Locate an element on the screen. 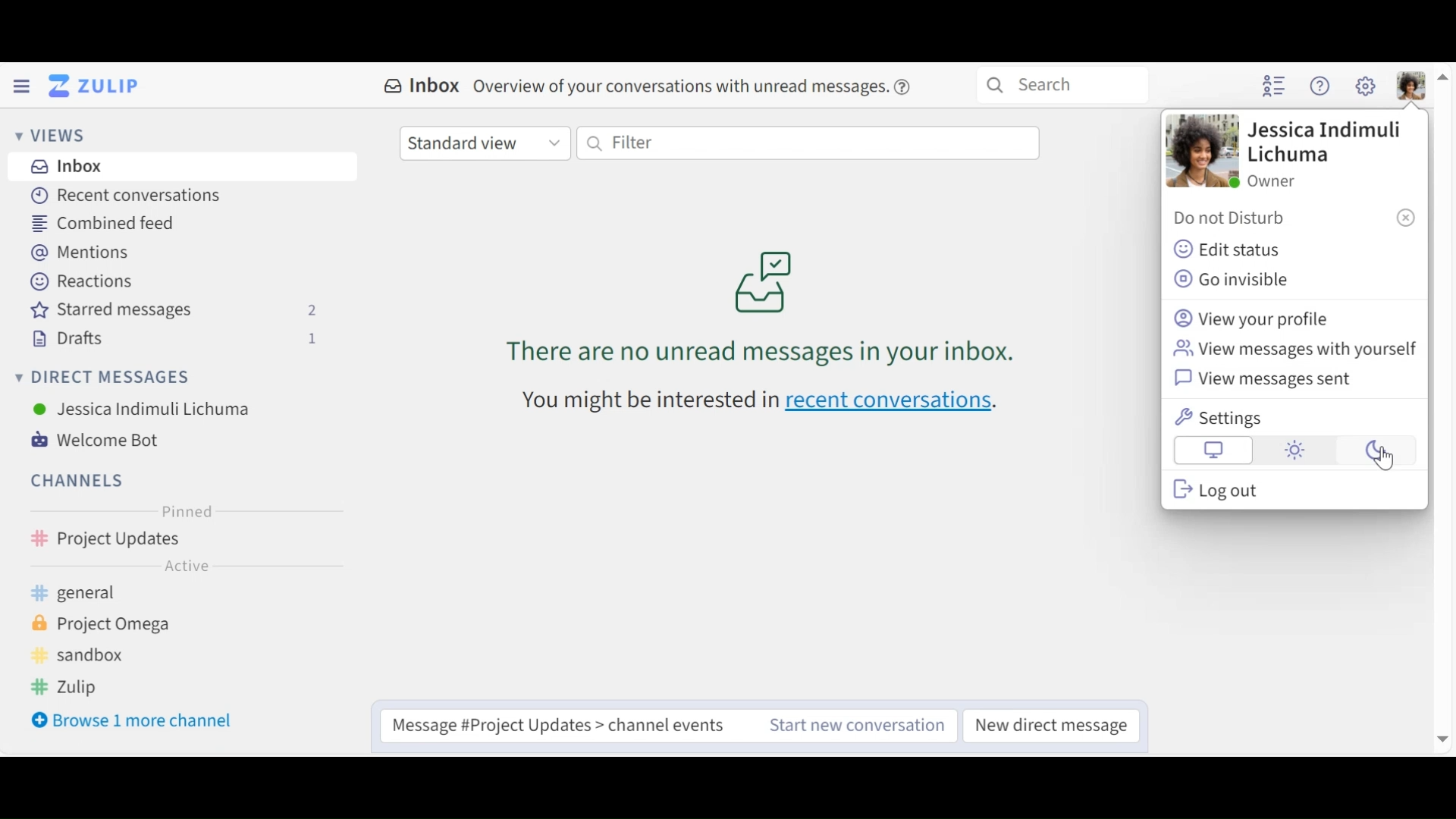  Inbox Overview of your conversations with unread messages is located at coordinates (632, 84).